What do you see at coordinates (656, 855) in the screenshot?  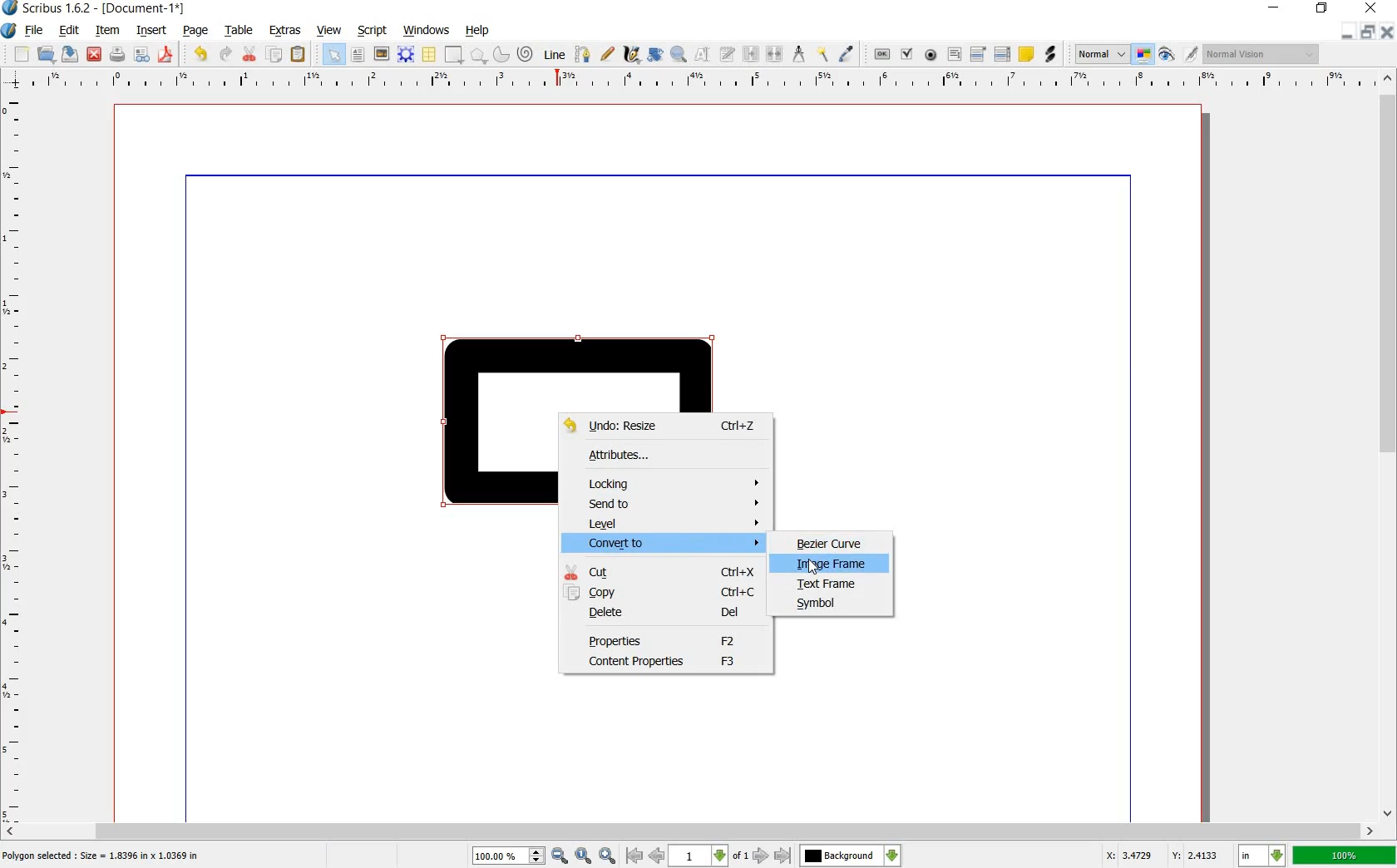 I see `go to previous page` at bounding box center [656, 855].